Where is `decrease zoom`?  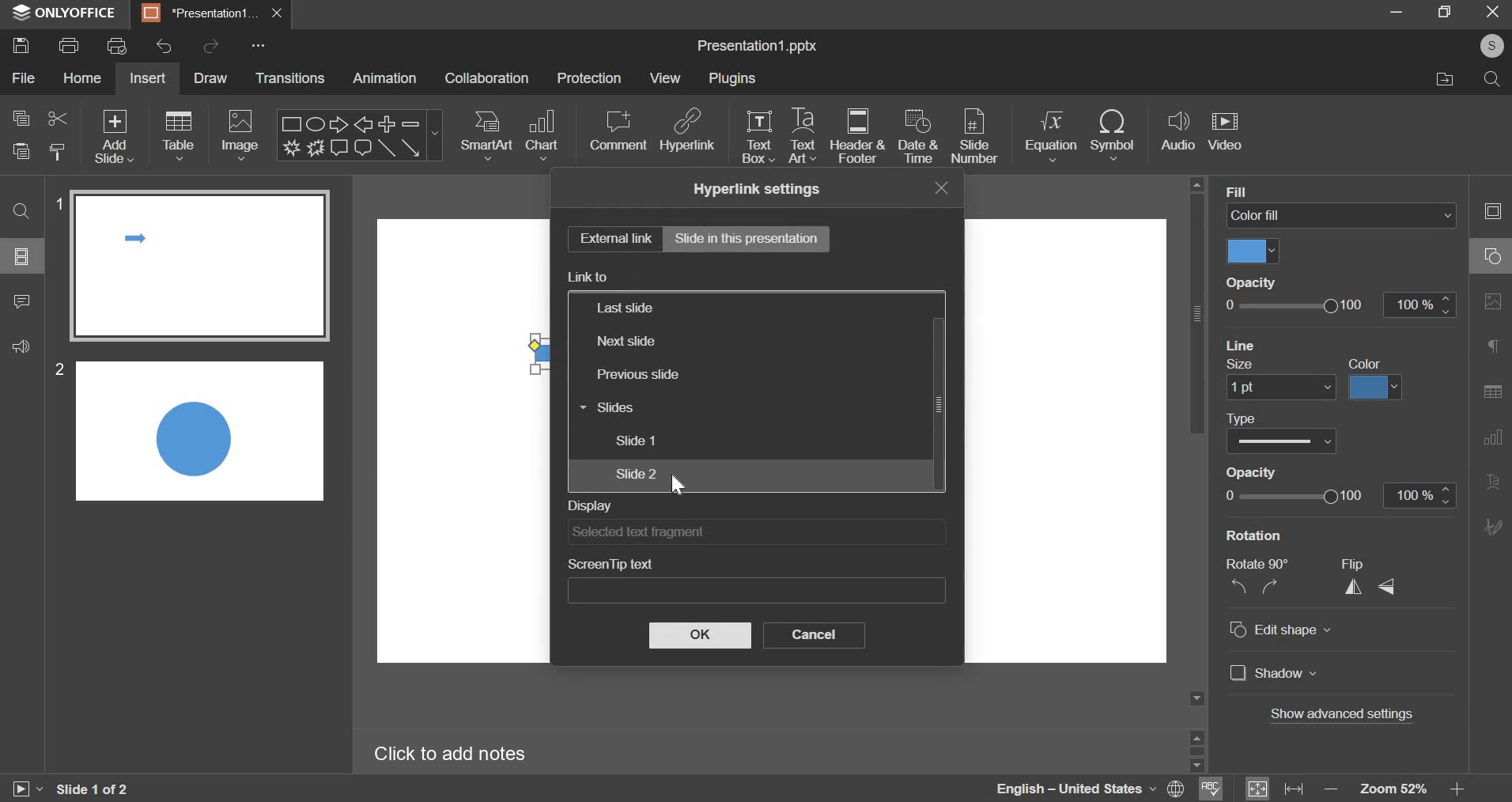
decrease zoom is located at coordinates (1332, 789).